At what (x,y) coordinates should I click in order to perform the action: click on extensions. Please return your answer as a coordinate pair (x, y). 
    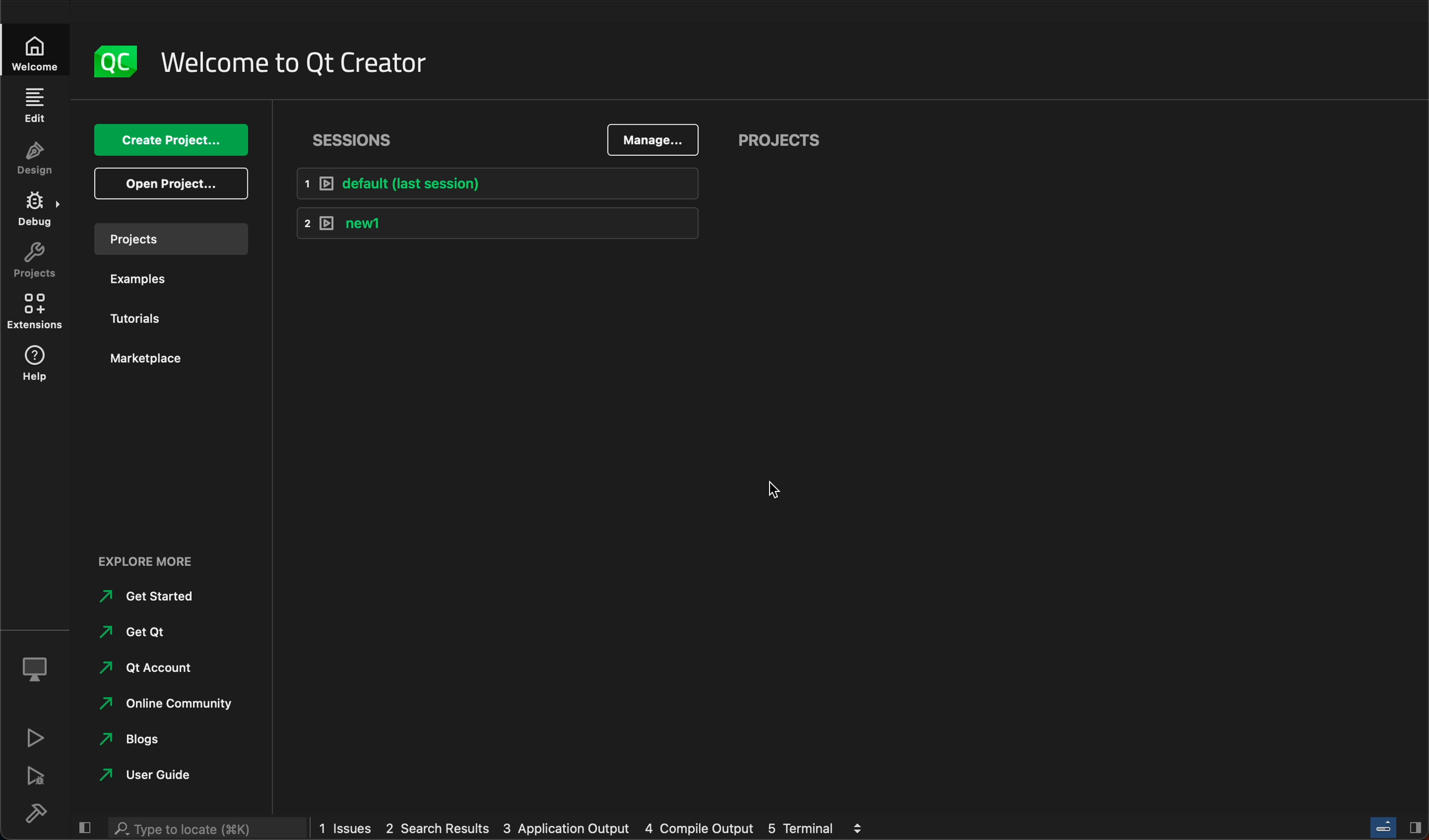
    Looking at the image, I should click on (36, 313).